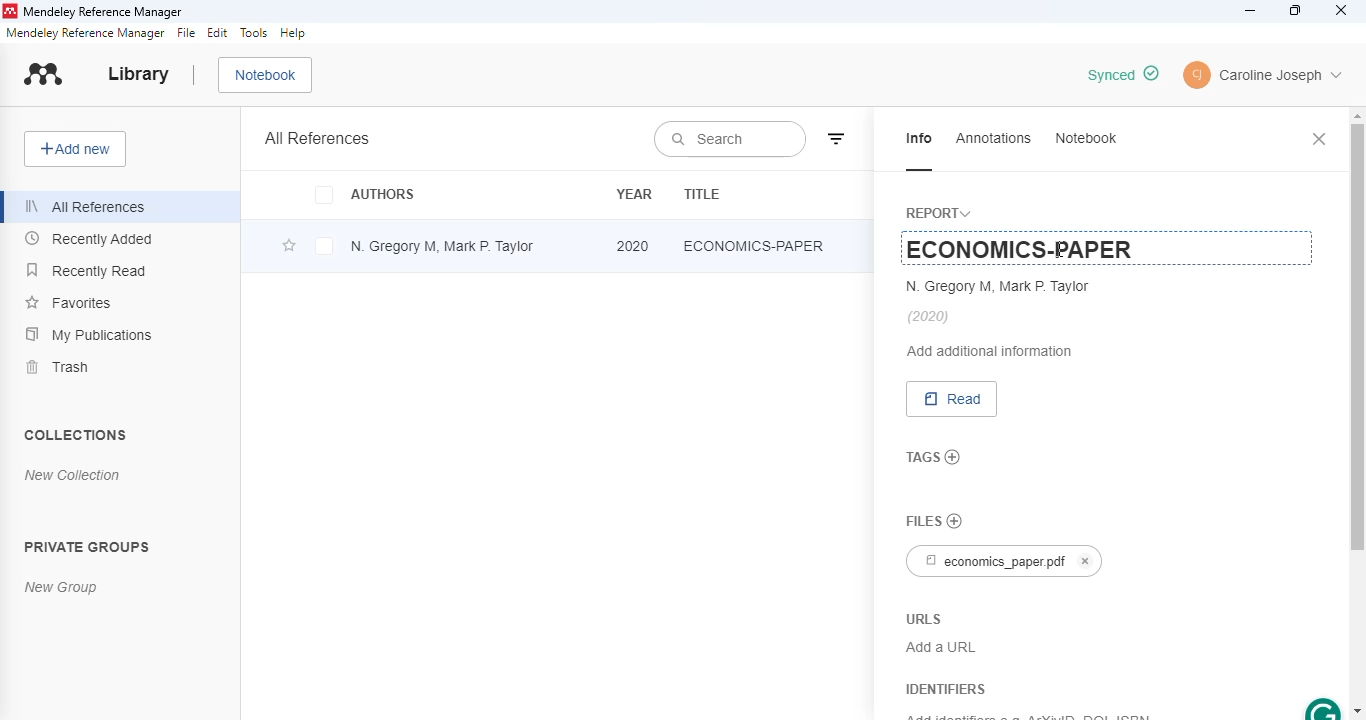  Describe the element at coordinates (941, 646) in the screenshot. I see `Add a URL` at that location.